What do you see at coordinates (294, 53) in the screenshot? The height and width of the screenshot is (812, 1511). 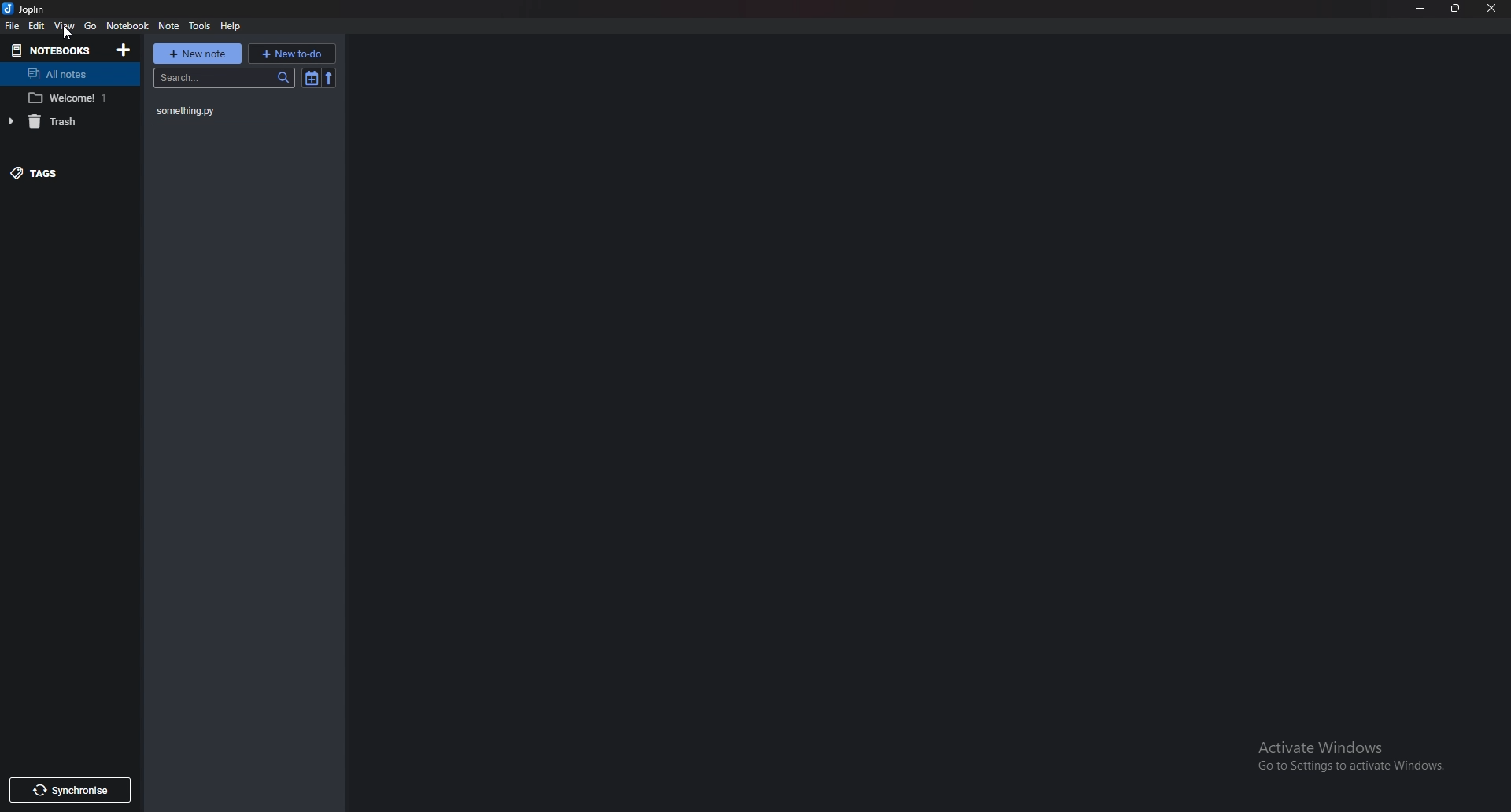 I see `new To do` at bounding box center [294, 53].